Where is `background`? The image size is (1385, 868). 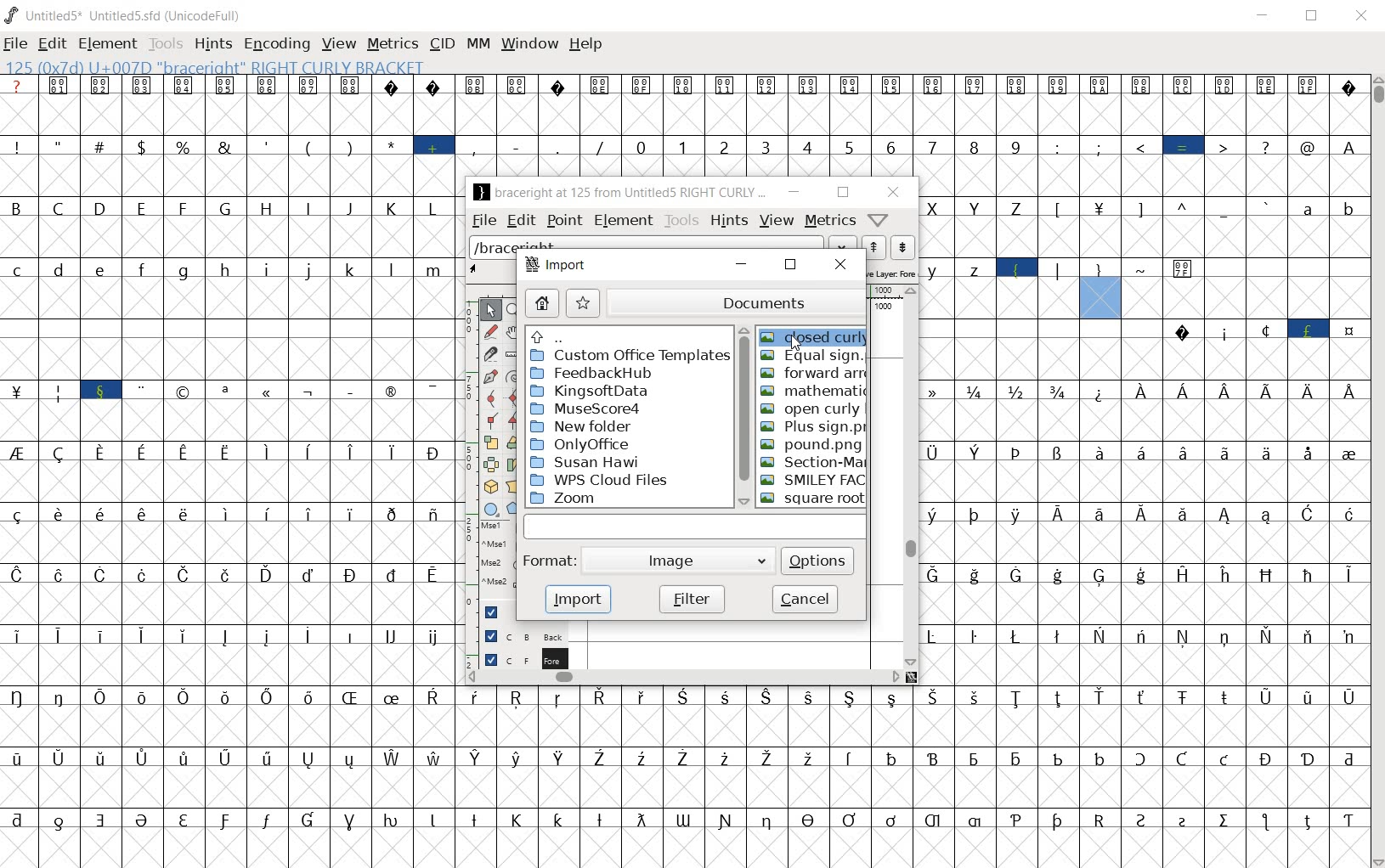
background is located at coordinates (516, 634).